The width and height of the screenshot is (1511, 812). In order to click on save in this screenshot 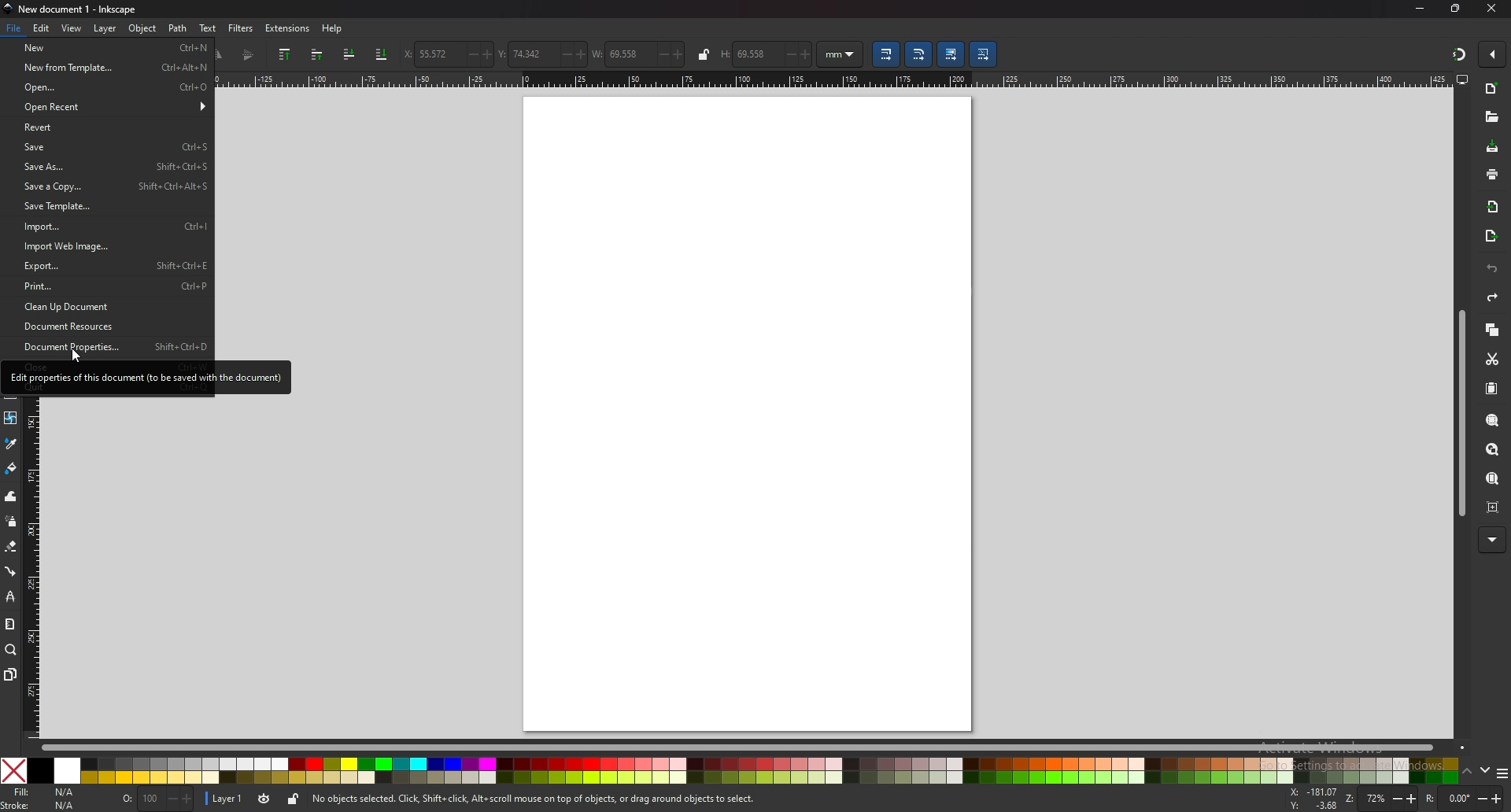, I will do `click(109, 146)`.